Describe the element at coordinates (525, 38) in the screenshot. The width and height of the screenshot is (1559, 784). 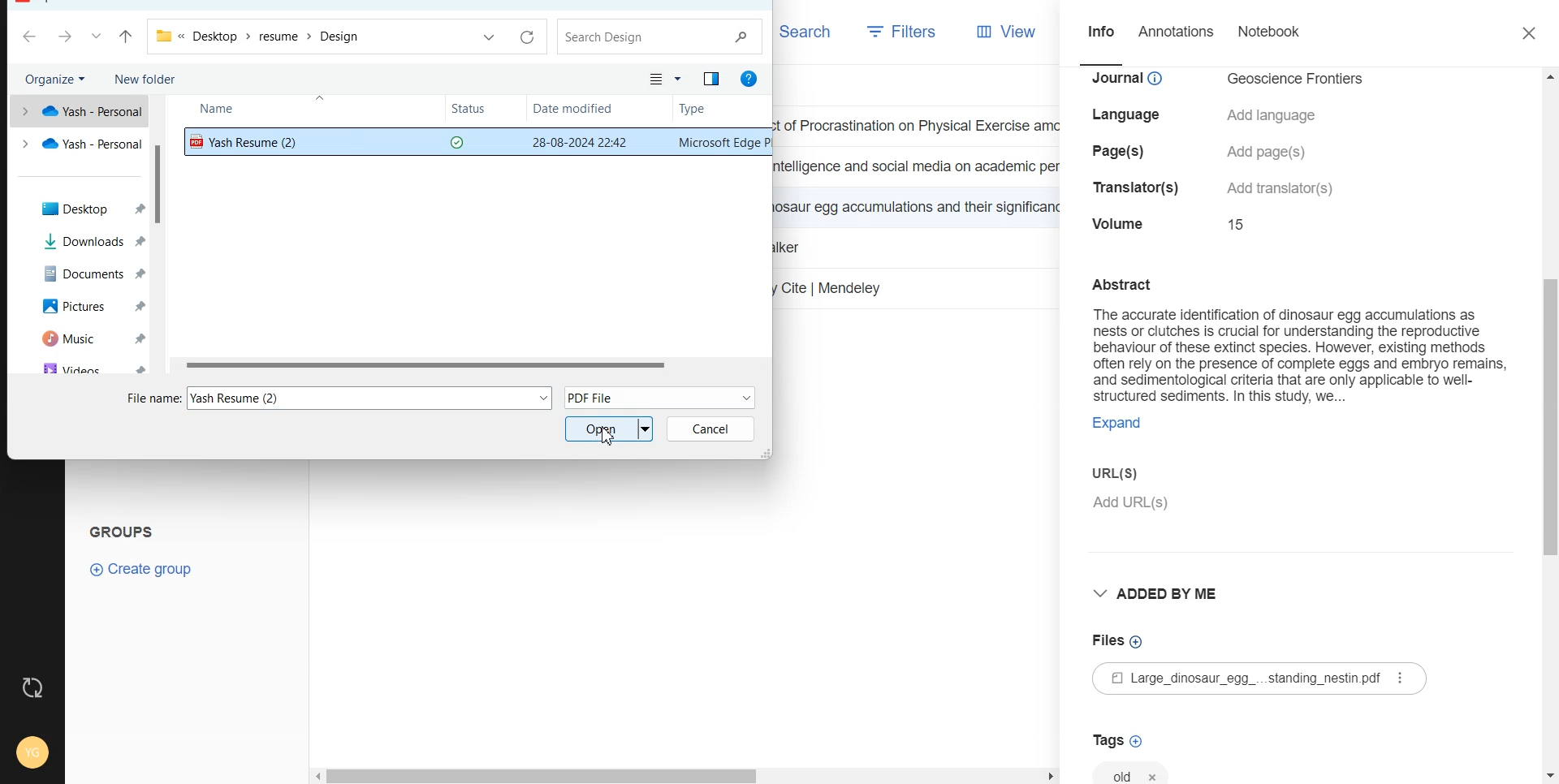
I see `Refresh ` at that location.